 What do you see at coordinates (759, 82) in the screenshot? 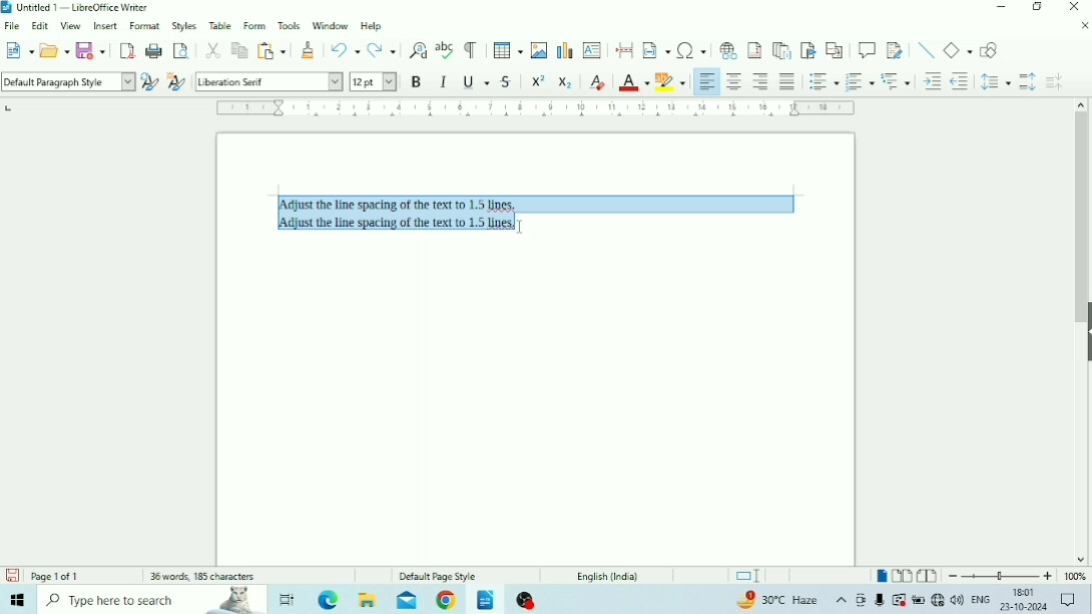
I see `Align Right` at bounding box center [759, 82].